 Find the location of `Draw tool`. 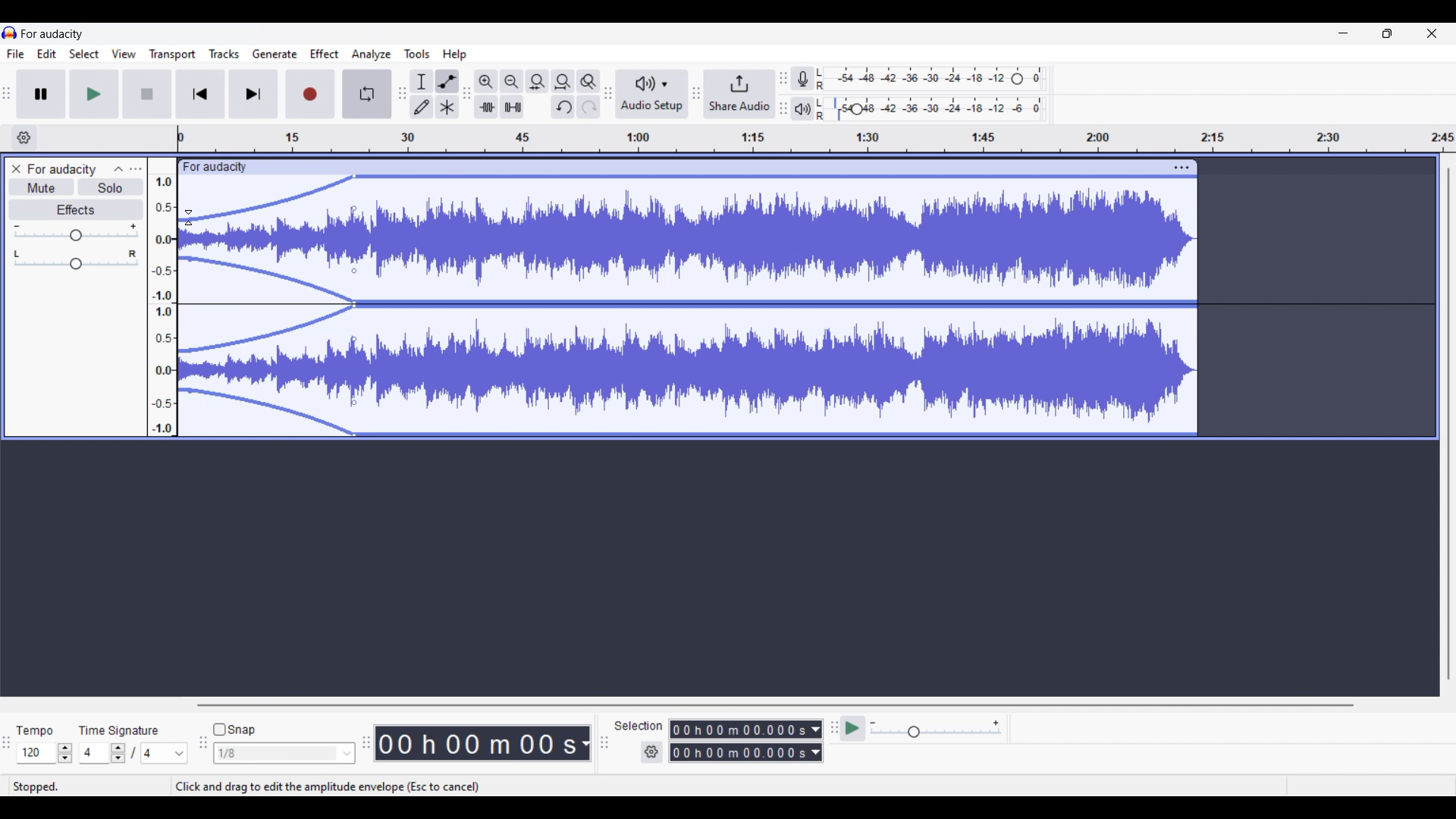

Draw tool is located at coordinates (422, 106).